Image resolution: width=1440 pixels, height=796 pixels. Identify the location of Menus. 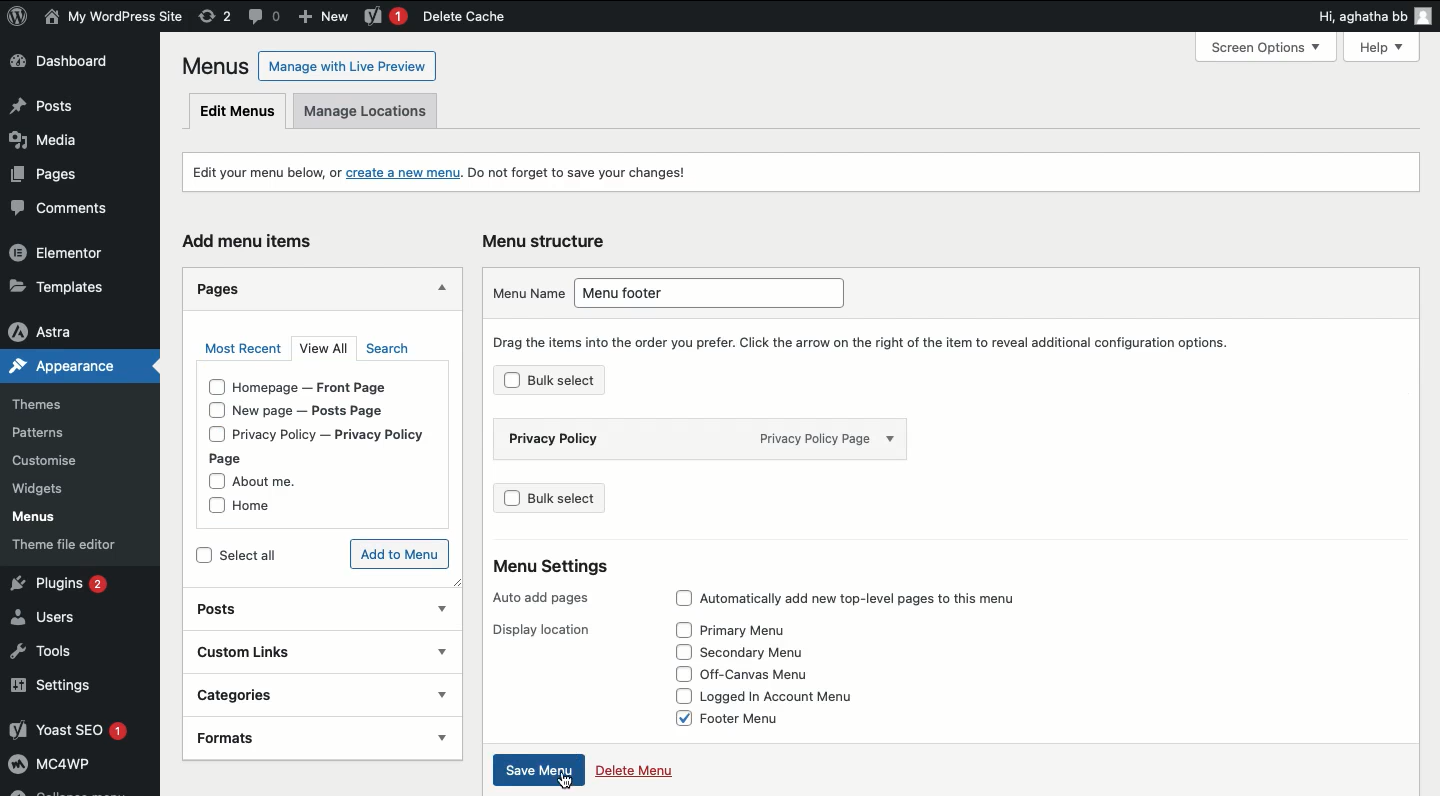
(48, 519).